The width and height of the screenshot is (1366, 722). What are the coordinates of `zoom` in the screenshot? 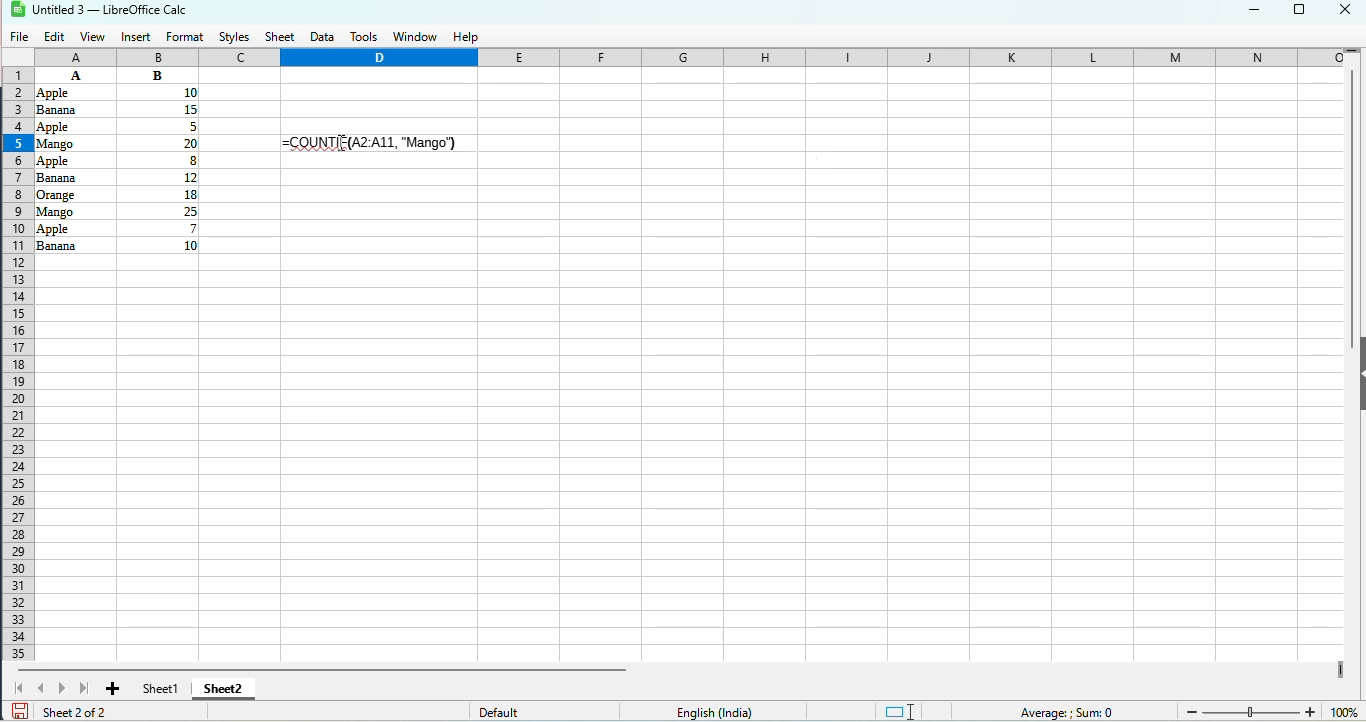 It's located at (1345, 712).